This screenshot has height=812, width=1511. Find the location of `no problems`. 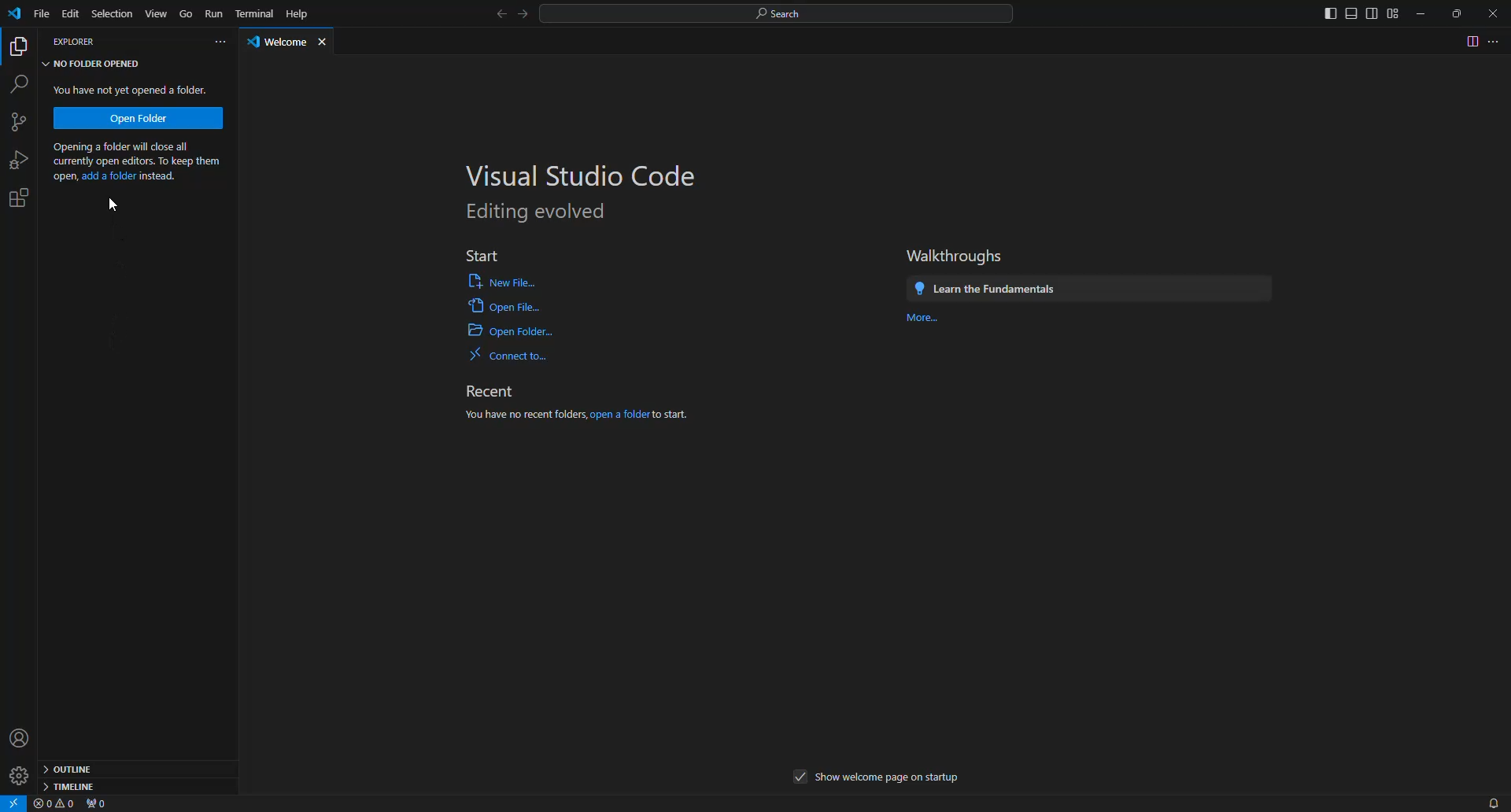

no problems is located at coordinates (55, 804).